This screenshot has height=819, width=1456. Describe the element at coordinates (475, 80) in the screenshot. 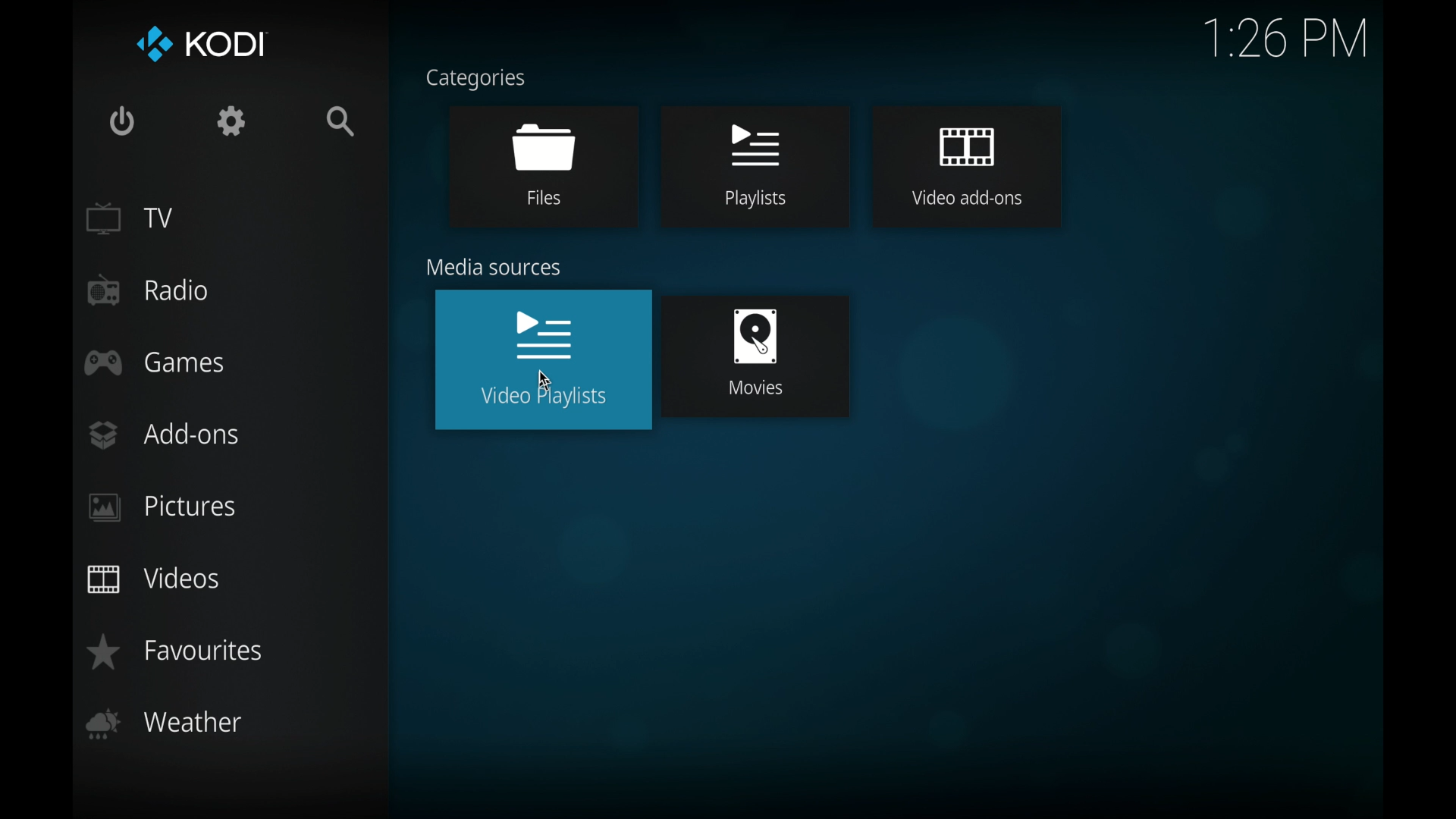

I see `categories` at that location.